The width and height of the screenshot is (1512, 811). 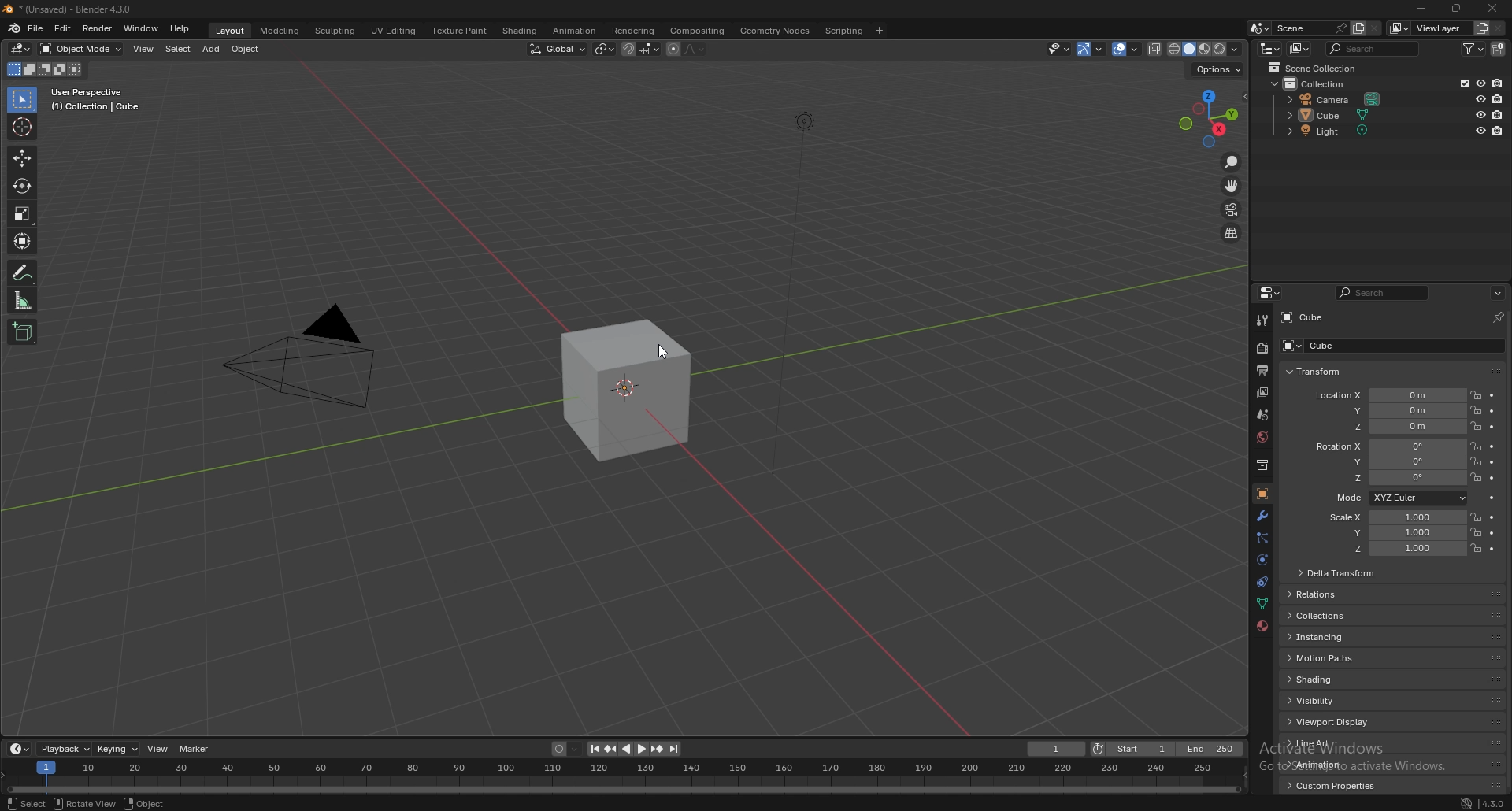 I want to click on mode, so click(x=1399, y=498).